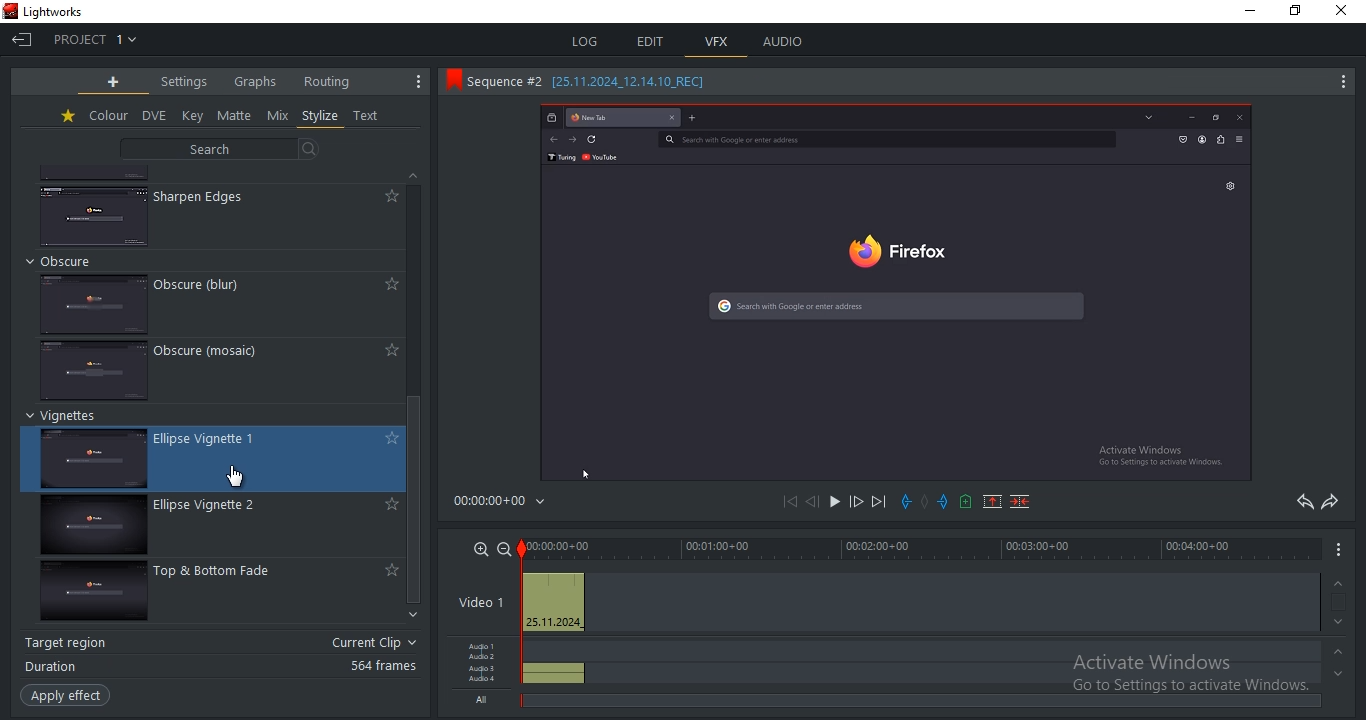 This screenshot has height=720, width=1366. I want to click on log, so click(585, 43).